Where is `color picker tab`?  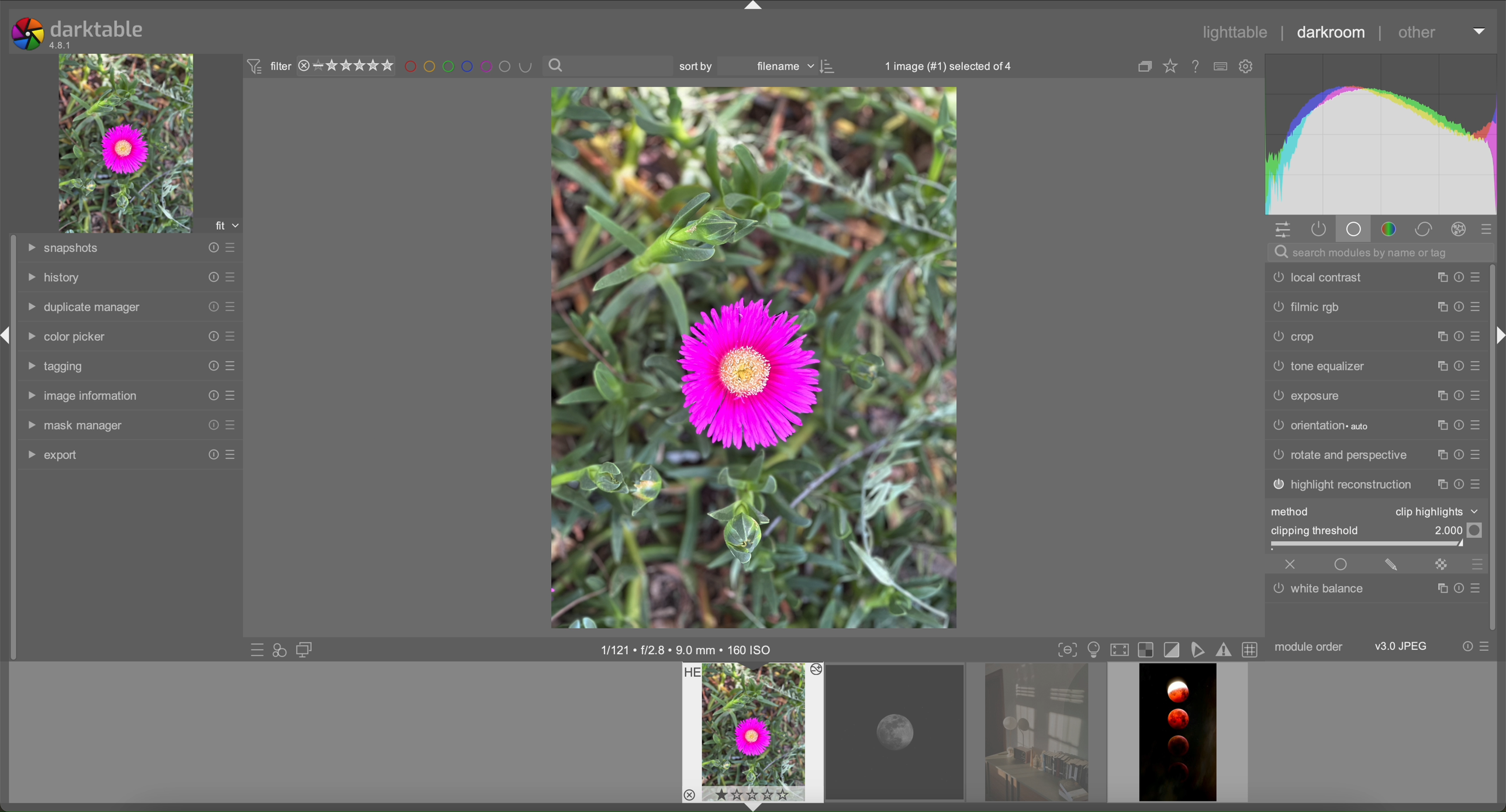 color picker tab is located at coordinates (64, 337).